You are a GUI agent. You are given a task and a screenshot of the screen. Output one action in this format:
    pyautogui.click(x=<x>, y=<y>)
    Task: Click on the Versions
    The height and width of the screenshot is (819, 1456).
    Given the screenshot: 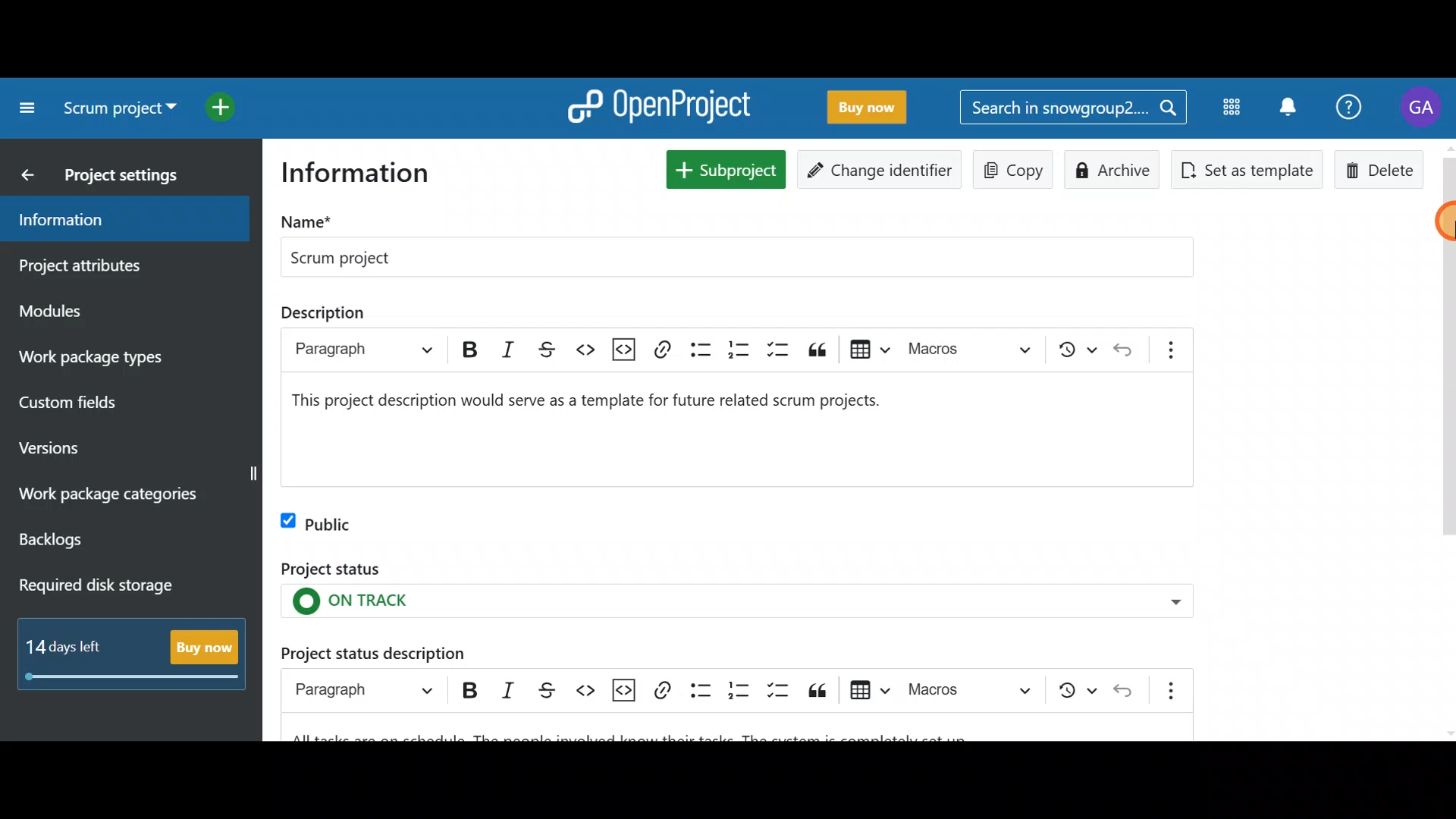 What is the action you would take?
    pyautogui.click(x=80, y=444)
    